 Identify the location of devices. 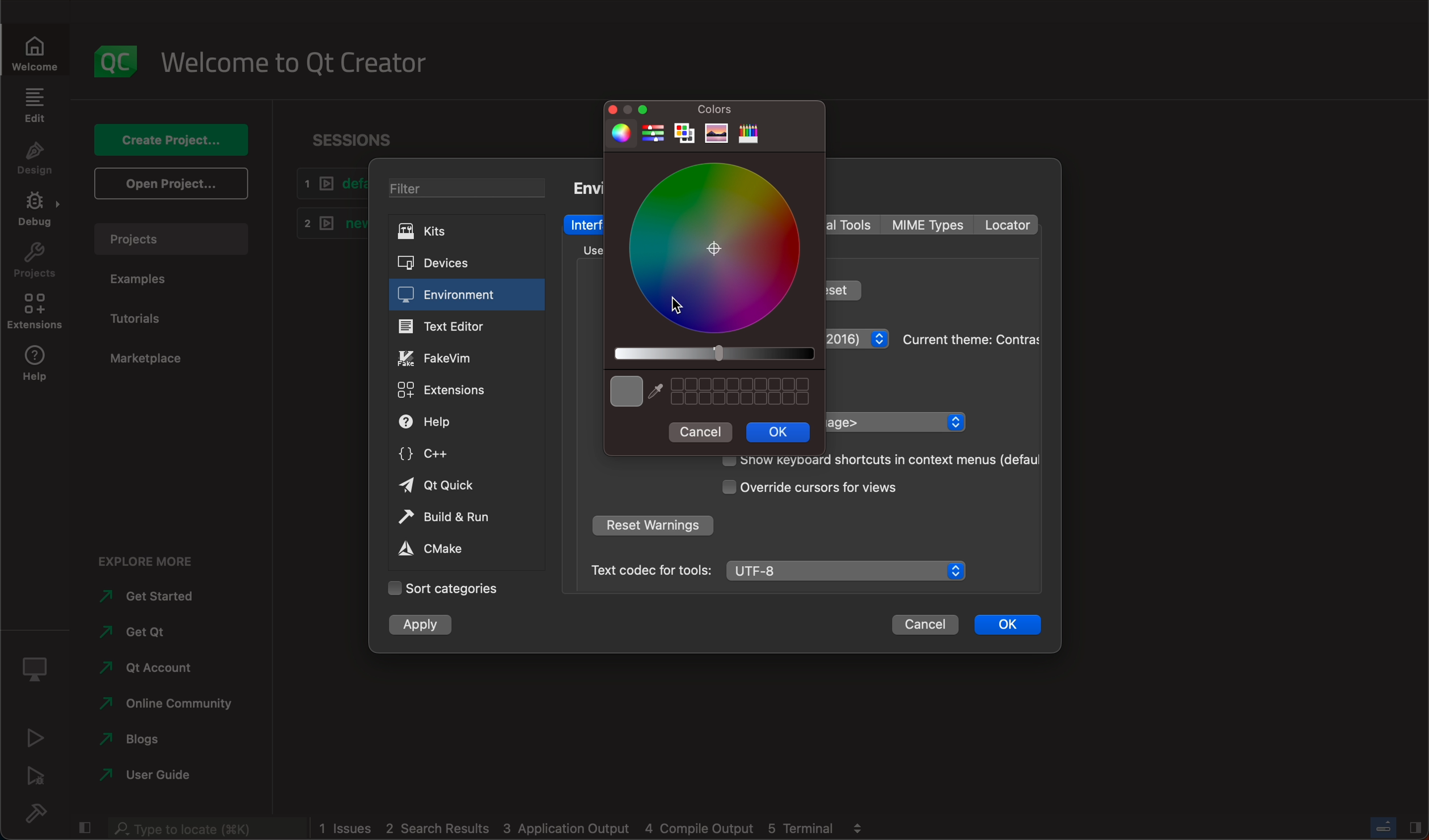
(455, 261).